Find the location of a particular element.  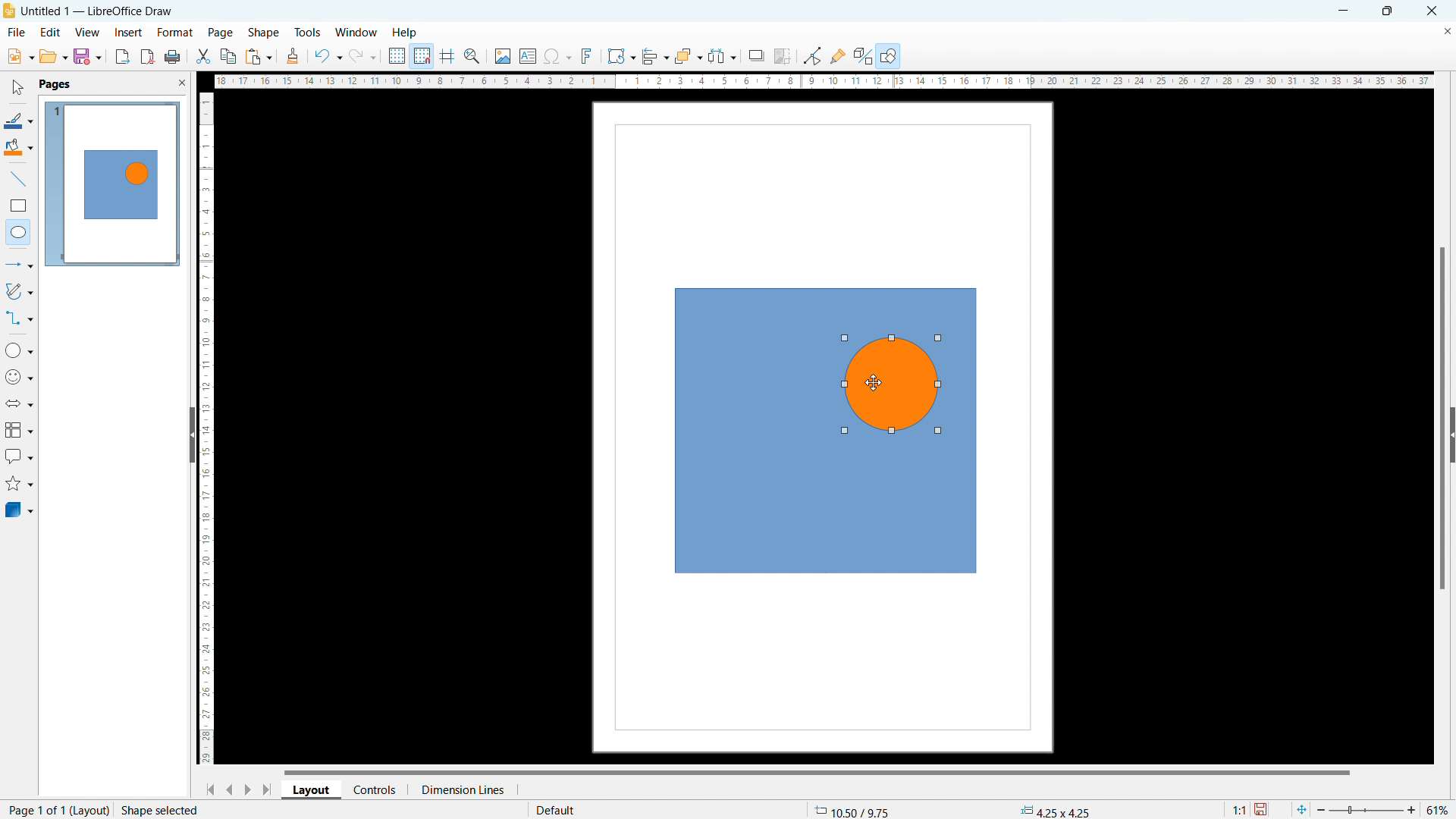

curves and polygonas is located at coordinates (19, 290).